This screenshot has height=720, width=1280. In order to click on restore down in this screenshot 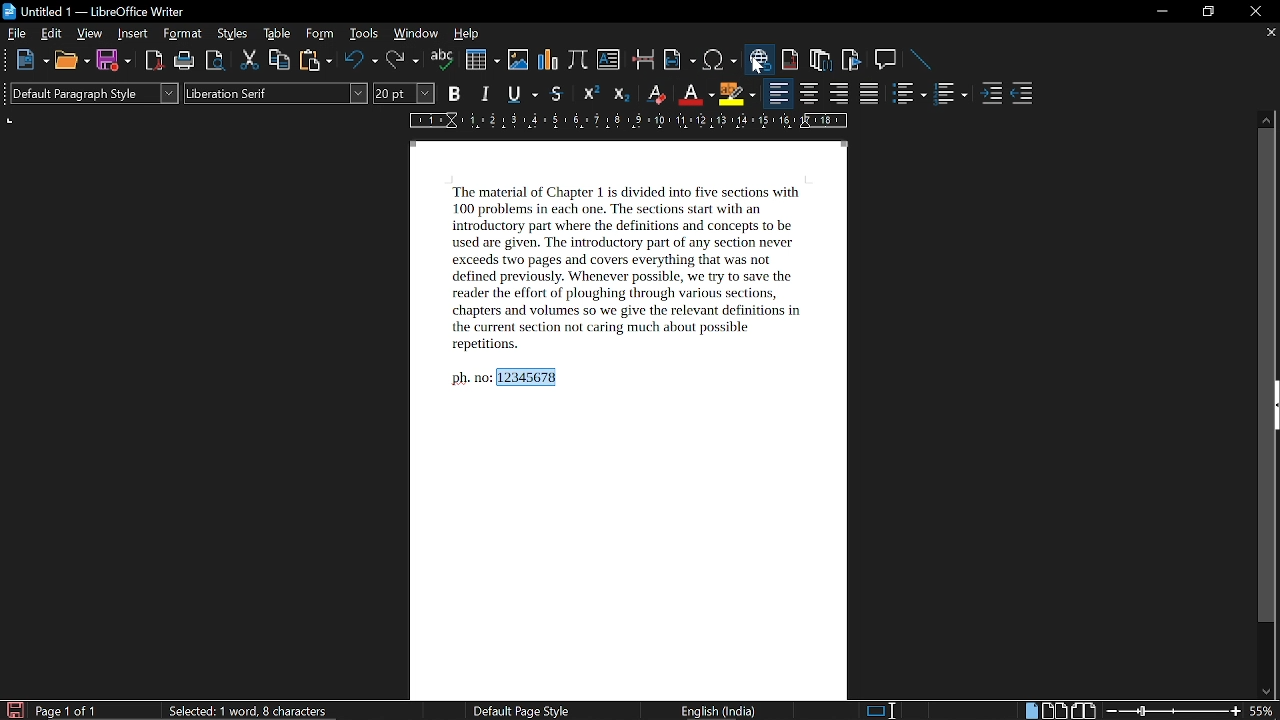, I will do `click(1207, 12)`.